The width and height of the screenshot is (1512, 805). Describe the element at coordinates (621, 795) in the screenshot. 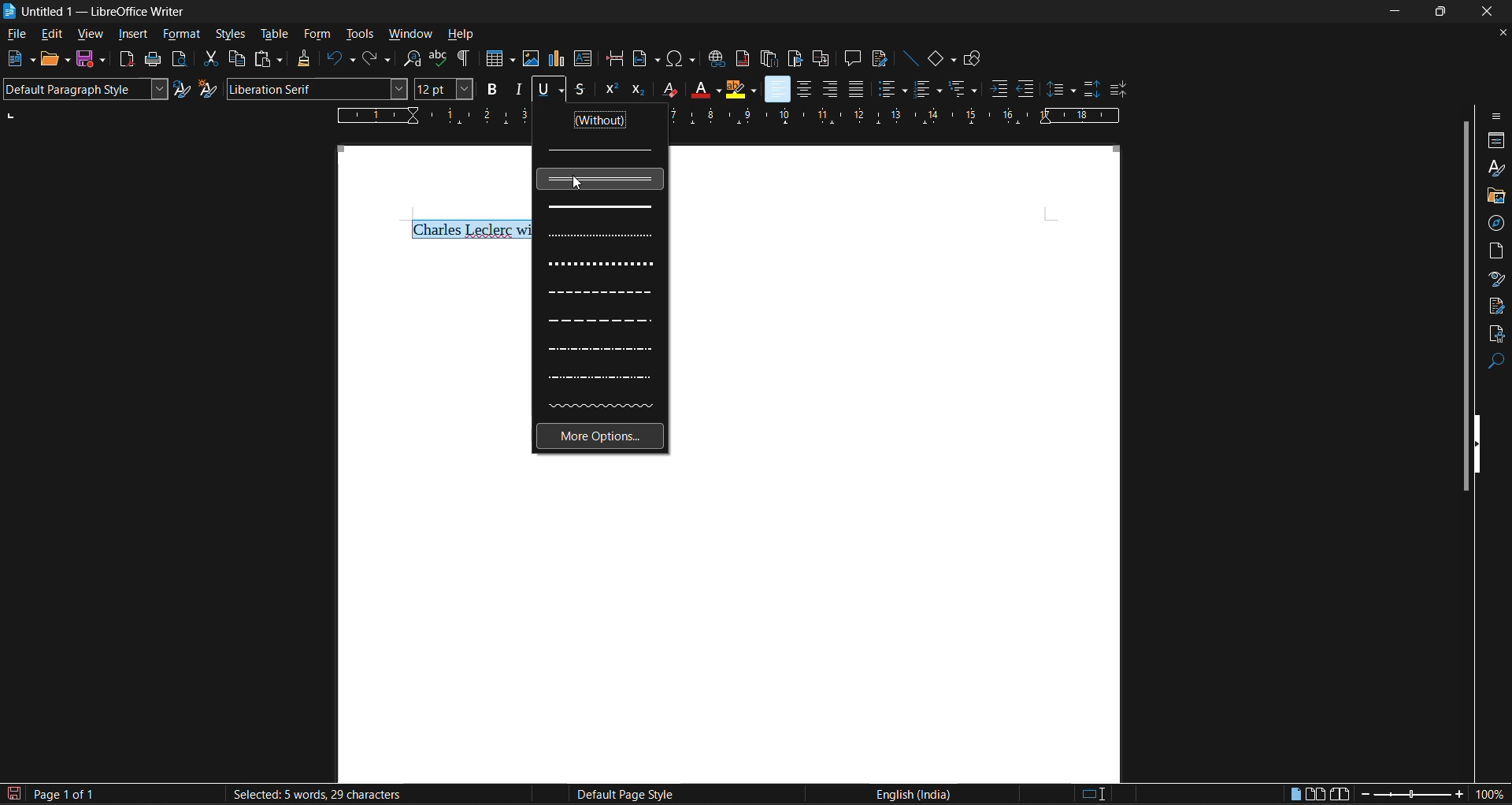

I see `page style` at that location.